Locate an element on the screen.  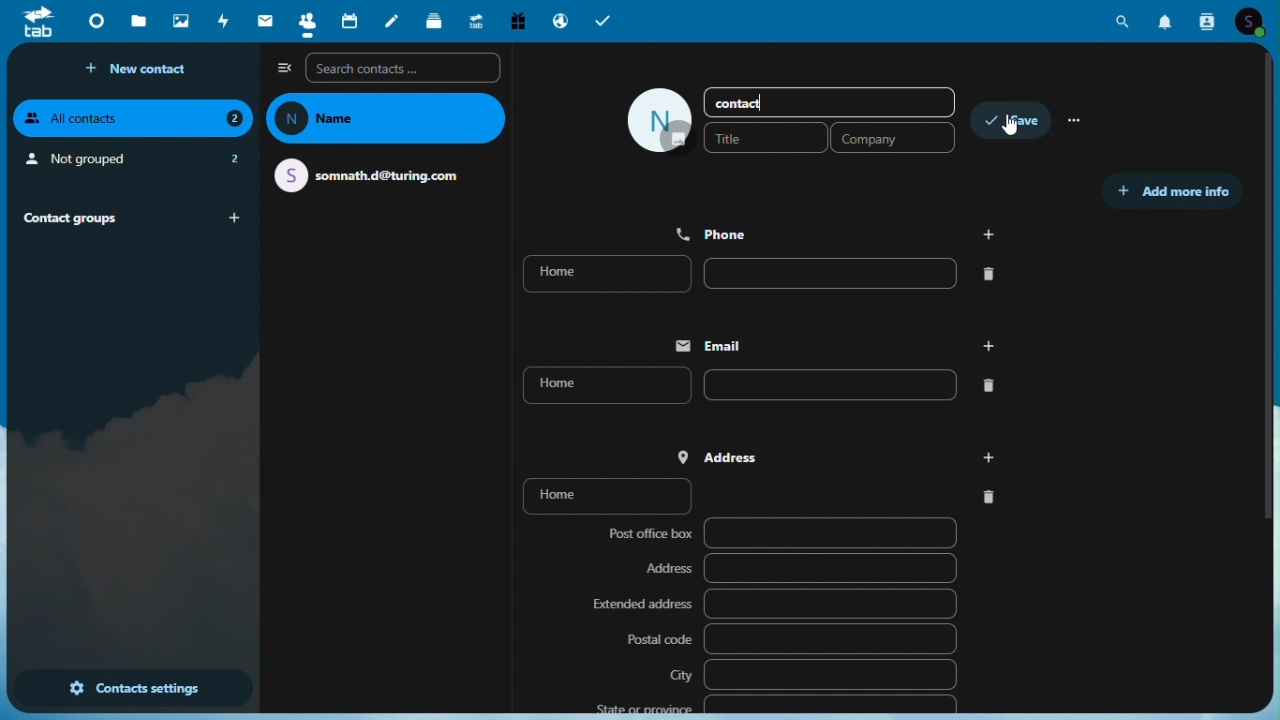
Tasks is located at coordinates (605, 20).